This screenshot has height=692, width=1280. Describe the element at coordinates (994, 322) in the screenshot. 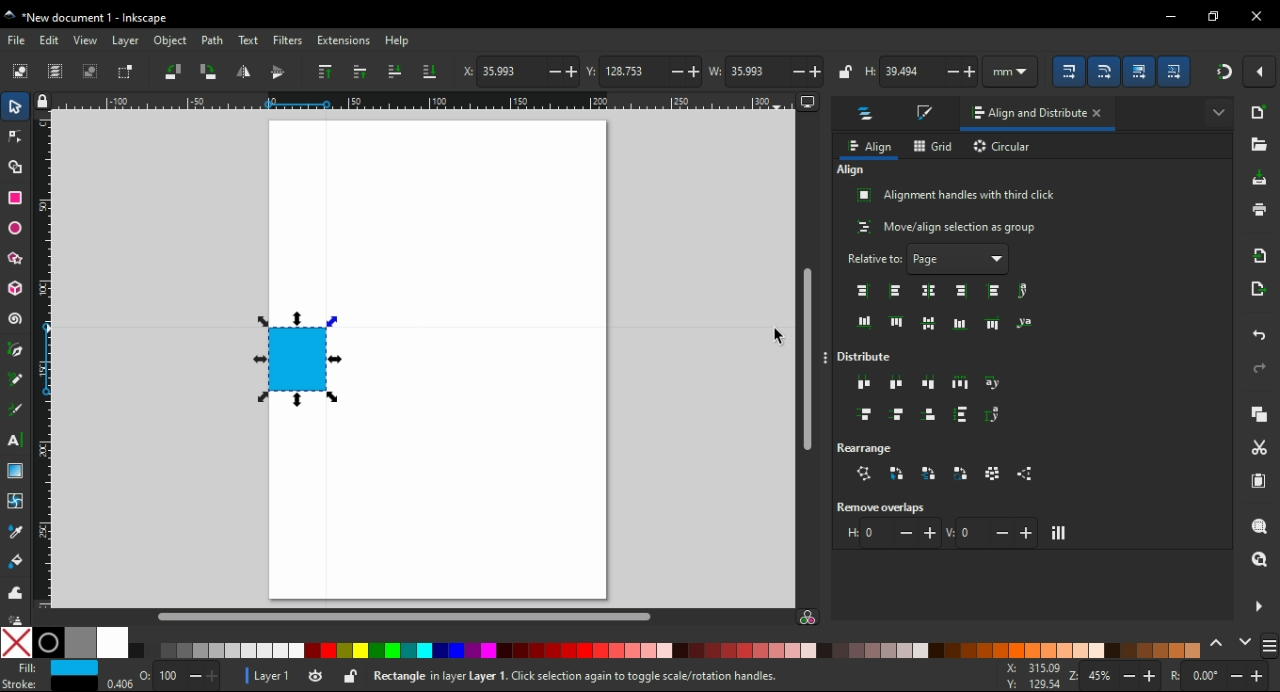

I see `align top edges of objects to bottom edge of  anchor` at that location.